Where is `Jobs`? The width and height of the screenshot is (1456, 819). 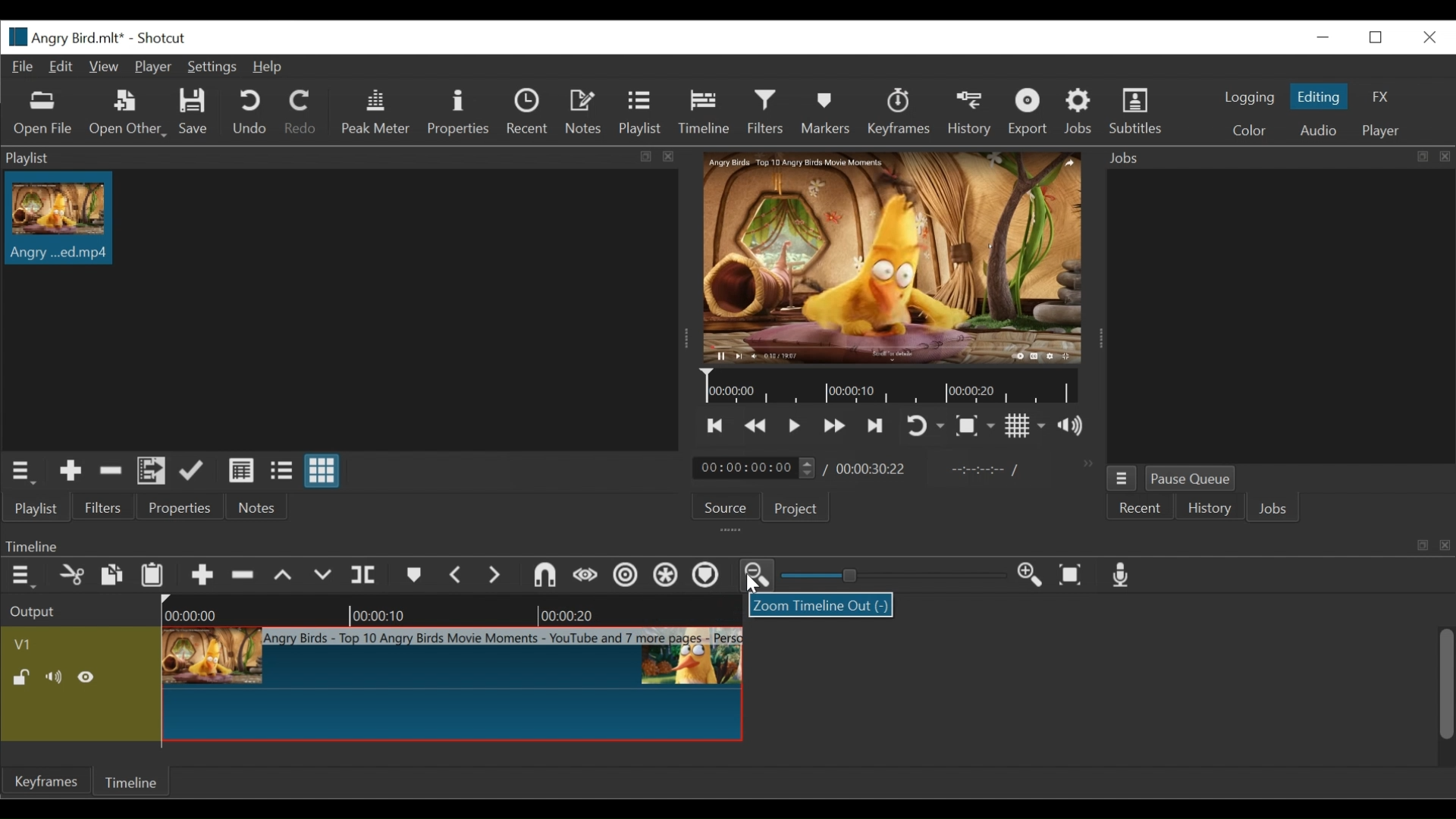
Jobs is located at coordinates (1276, 156).